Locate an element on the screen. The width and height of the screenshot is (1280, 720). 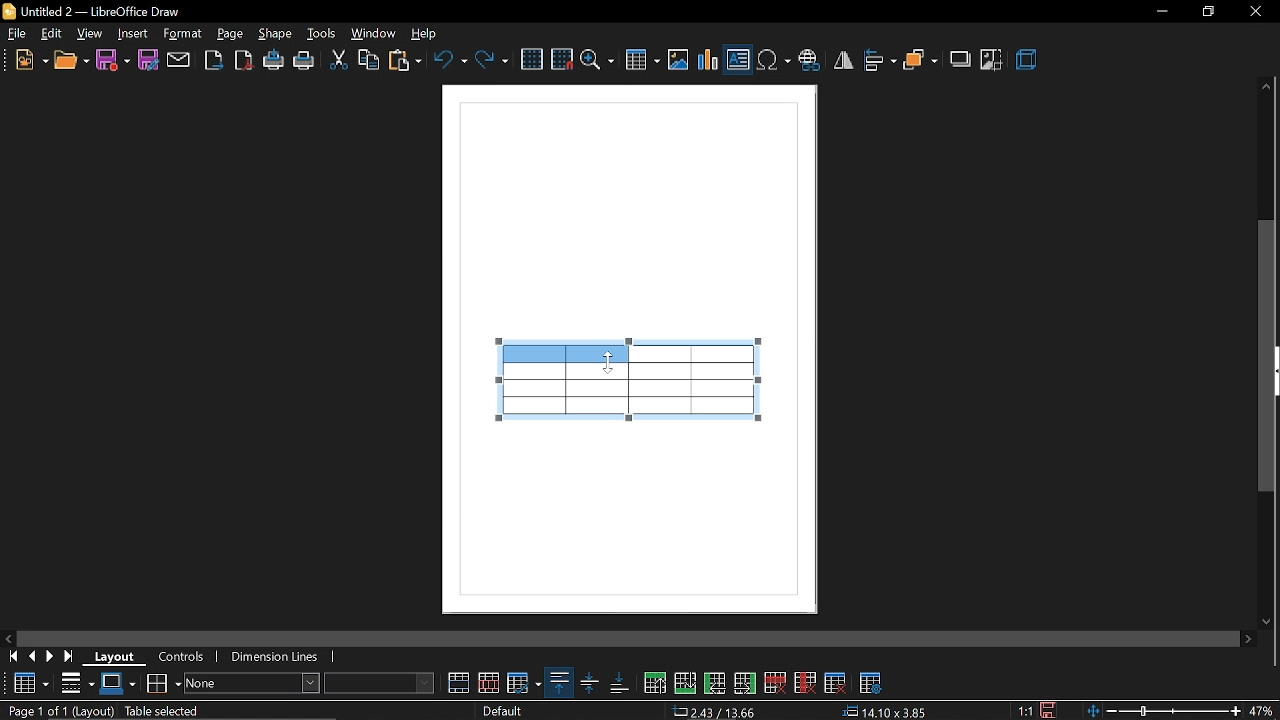
crop is located at coordinates (991, 61).